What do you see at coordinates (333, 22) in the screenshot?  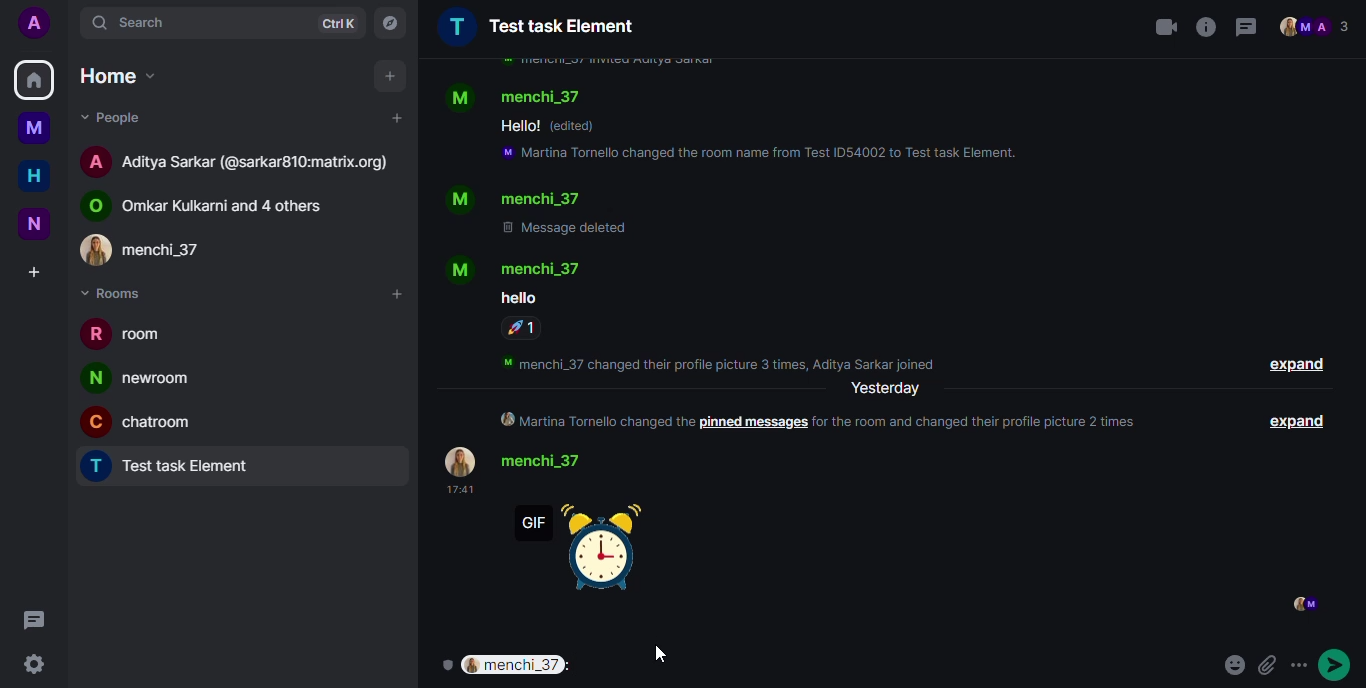 I see `ctrlK` at bounding box center [333, 22].